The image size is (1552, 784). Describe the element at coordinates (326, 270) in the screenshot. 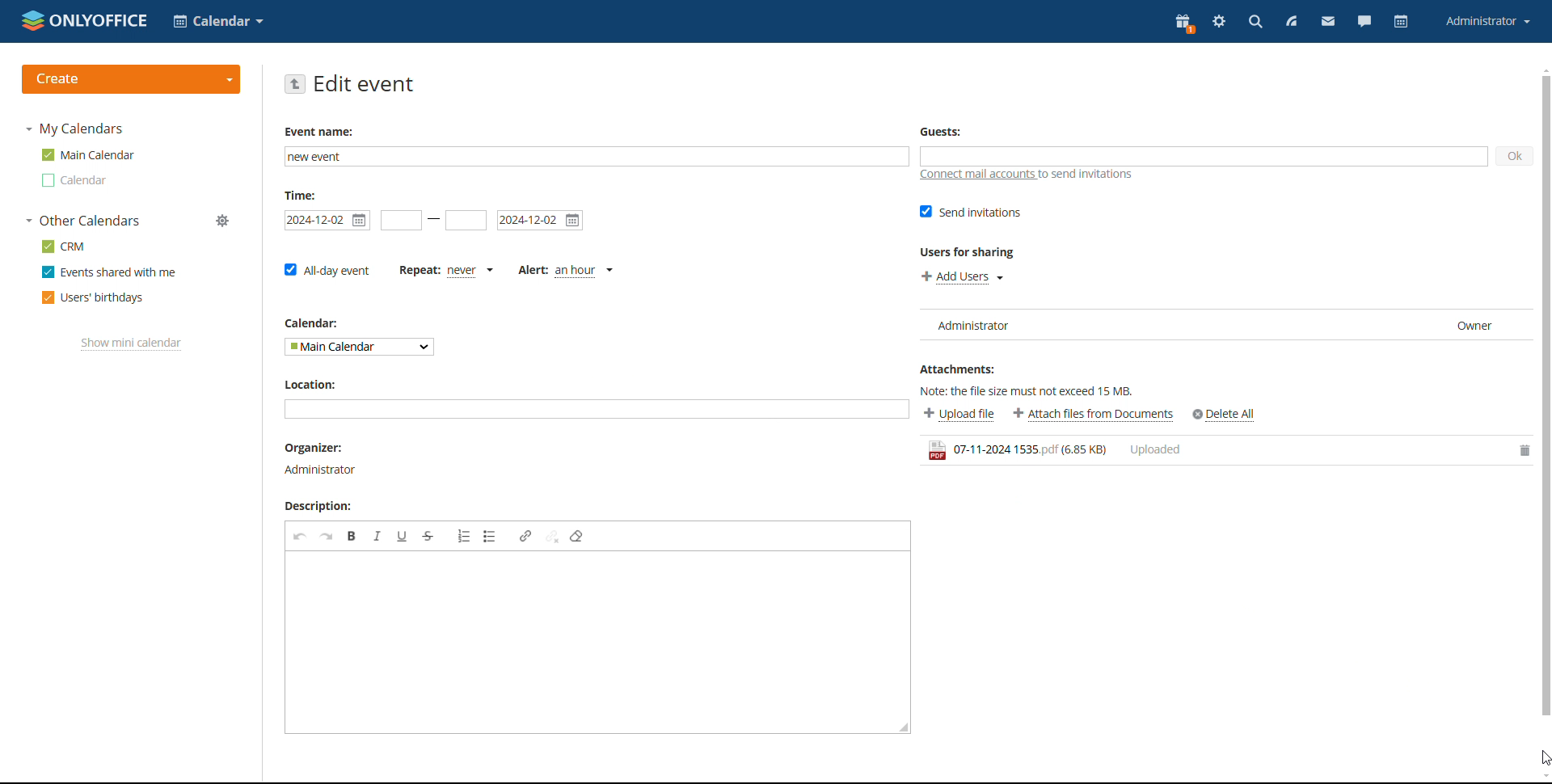

I see `all-day event` at that location.